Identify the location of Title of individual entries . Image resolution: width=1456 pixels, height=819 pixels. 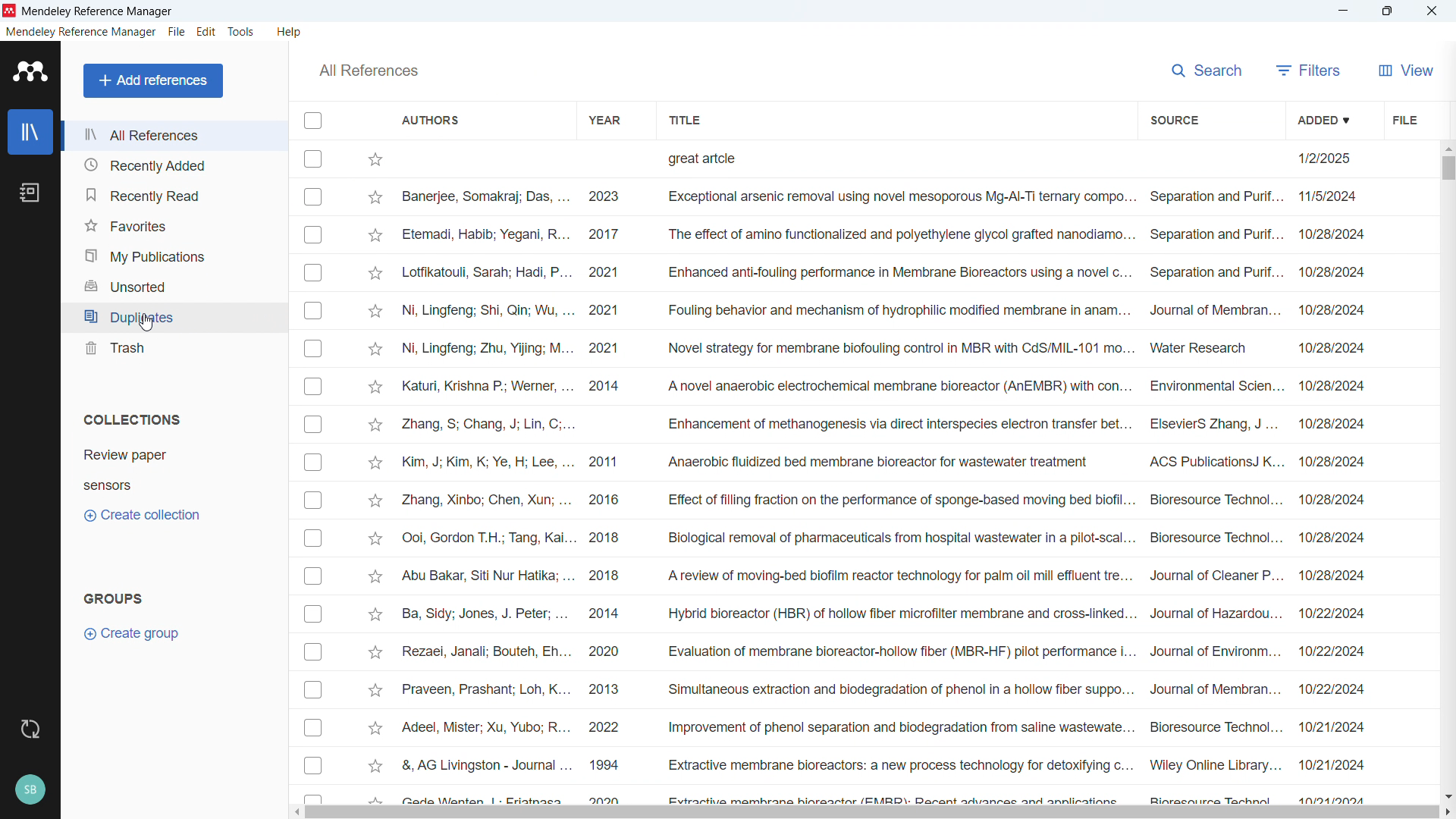
(896, 475).